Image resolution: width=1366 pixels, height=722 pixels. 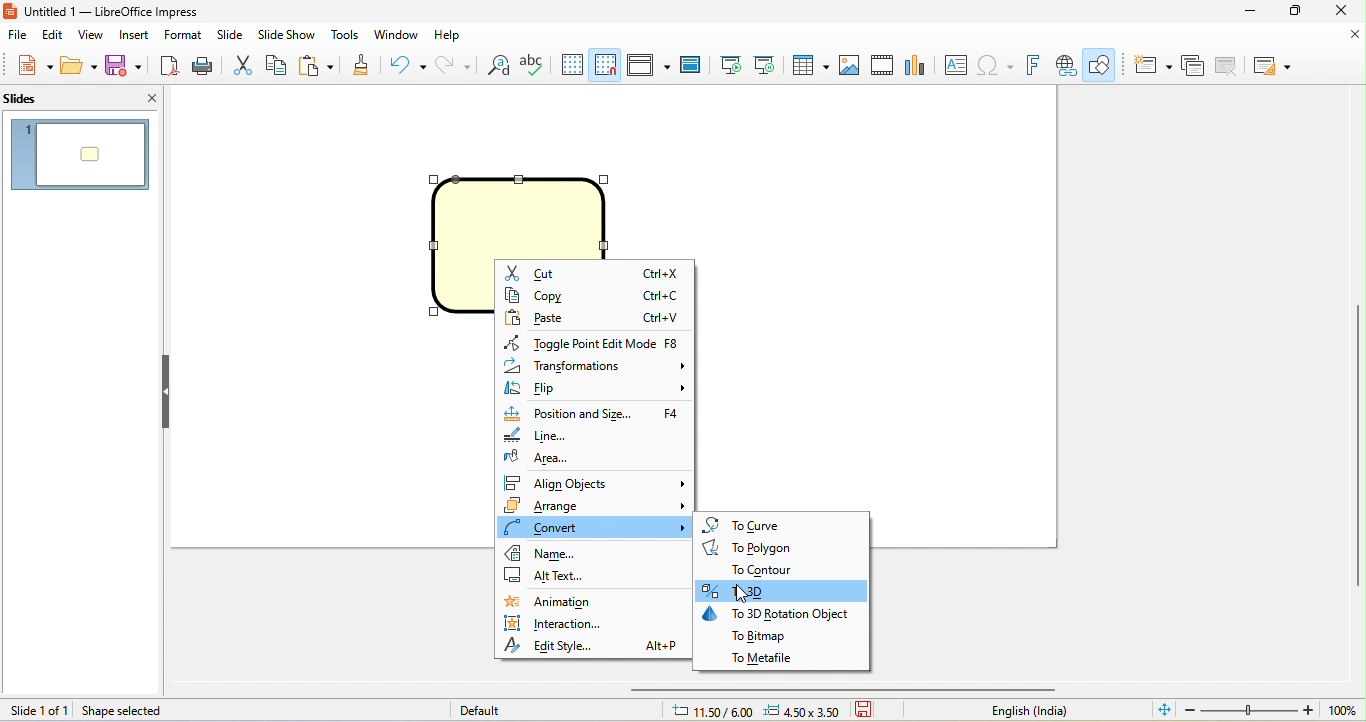 What do you see at coordinates (498, 65) in the screenshot?
I see `find and replace` at bounding box center [498, 65].